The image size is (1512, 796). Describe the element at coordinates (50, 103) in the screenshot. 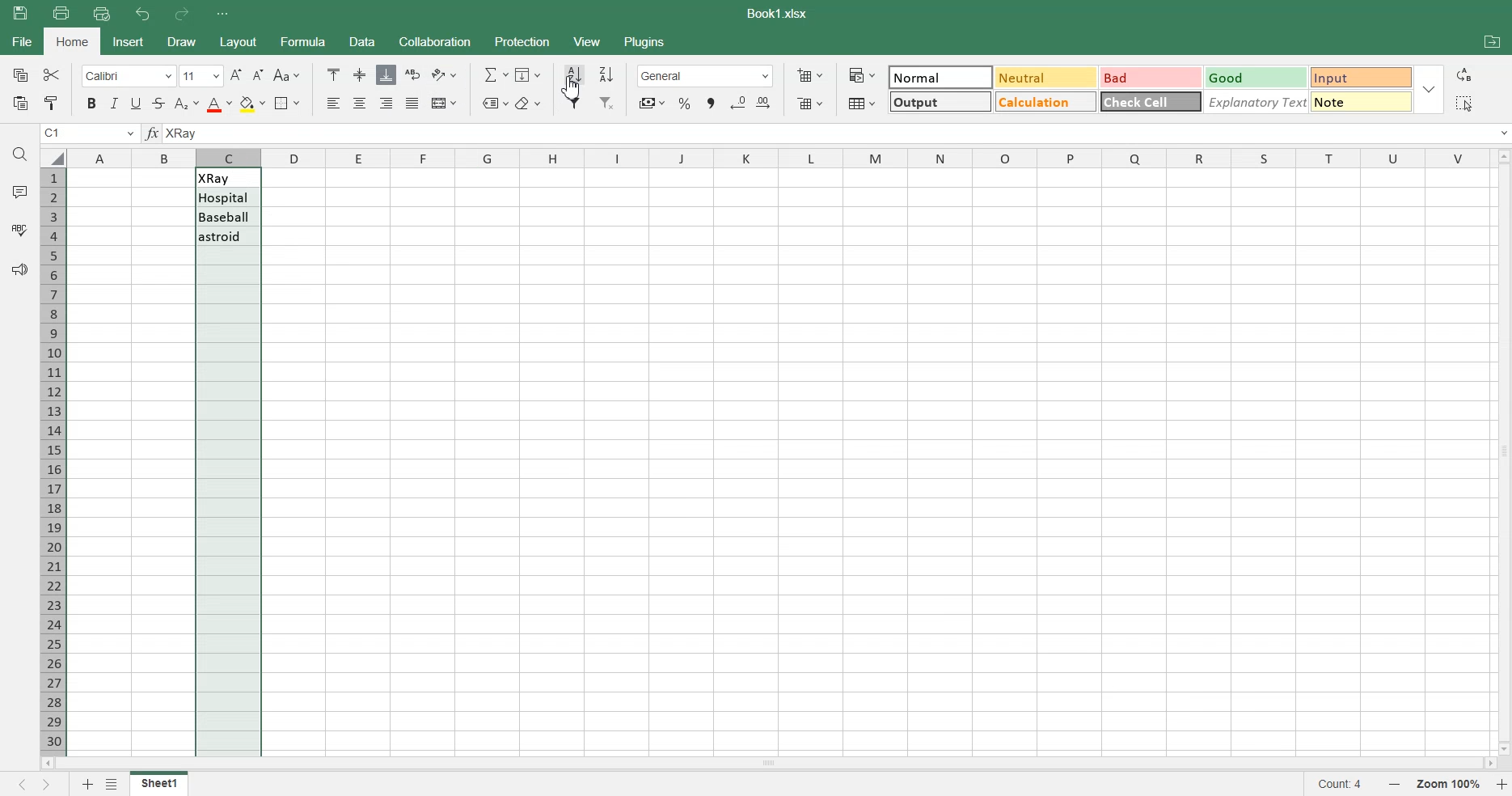

I see `Paint` at that location.